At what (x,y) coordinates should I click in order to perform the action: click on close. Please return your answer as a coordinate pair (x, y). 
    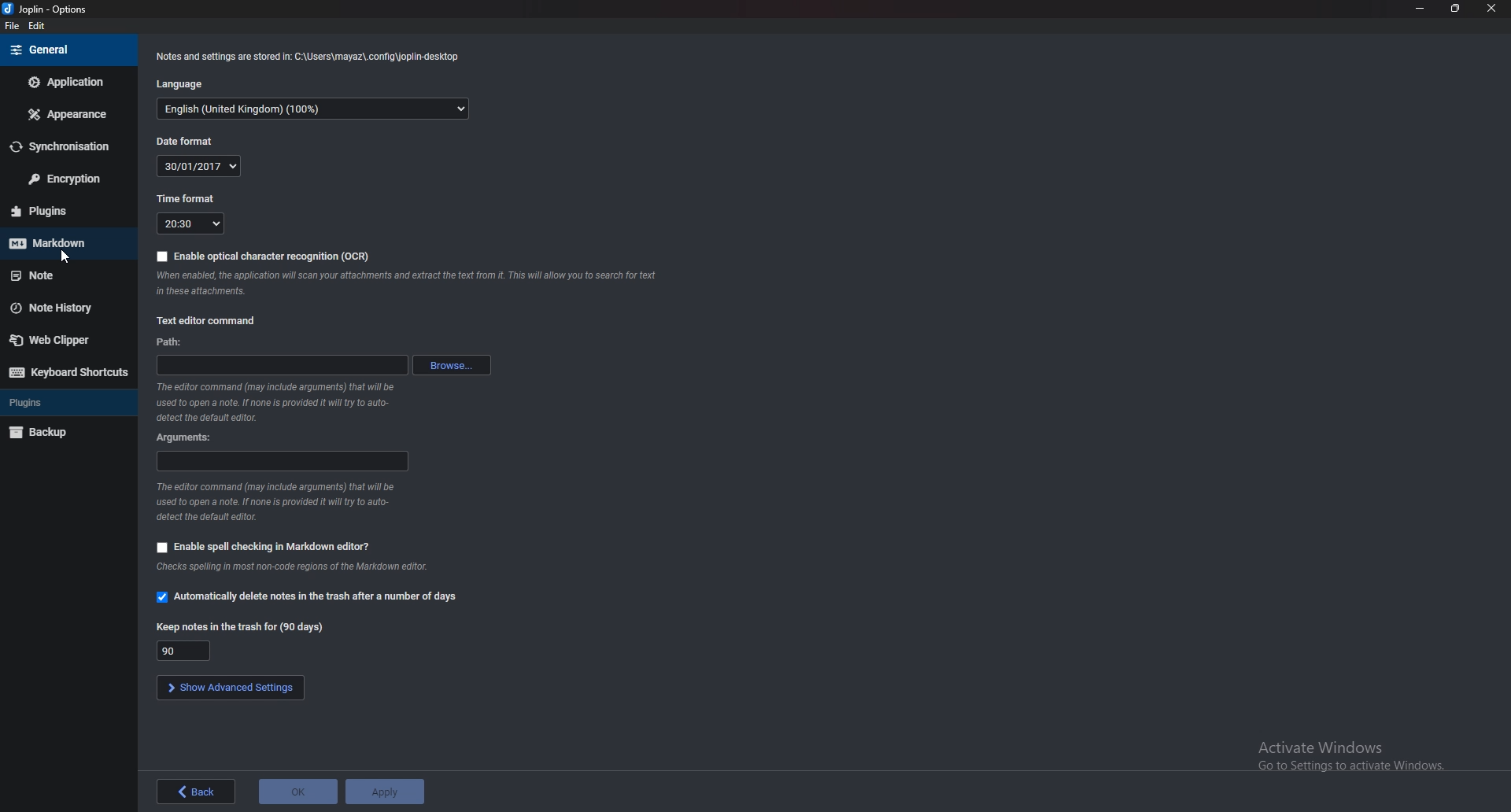
    Looking at the image, I should click on (1492, 9).